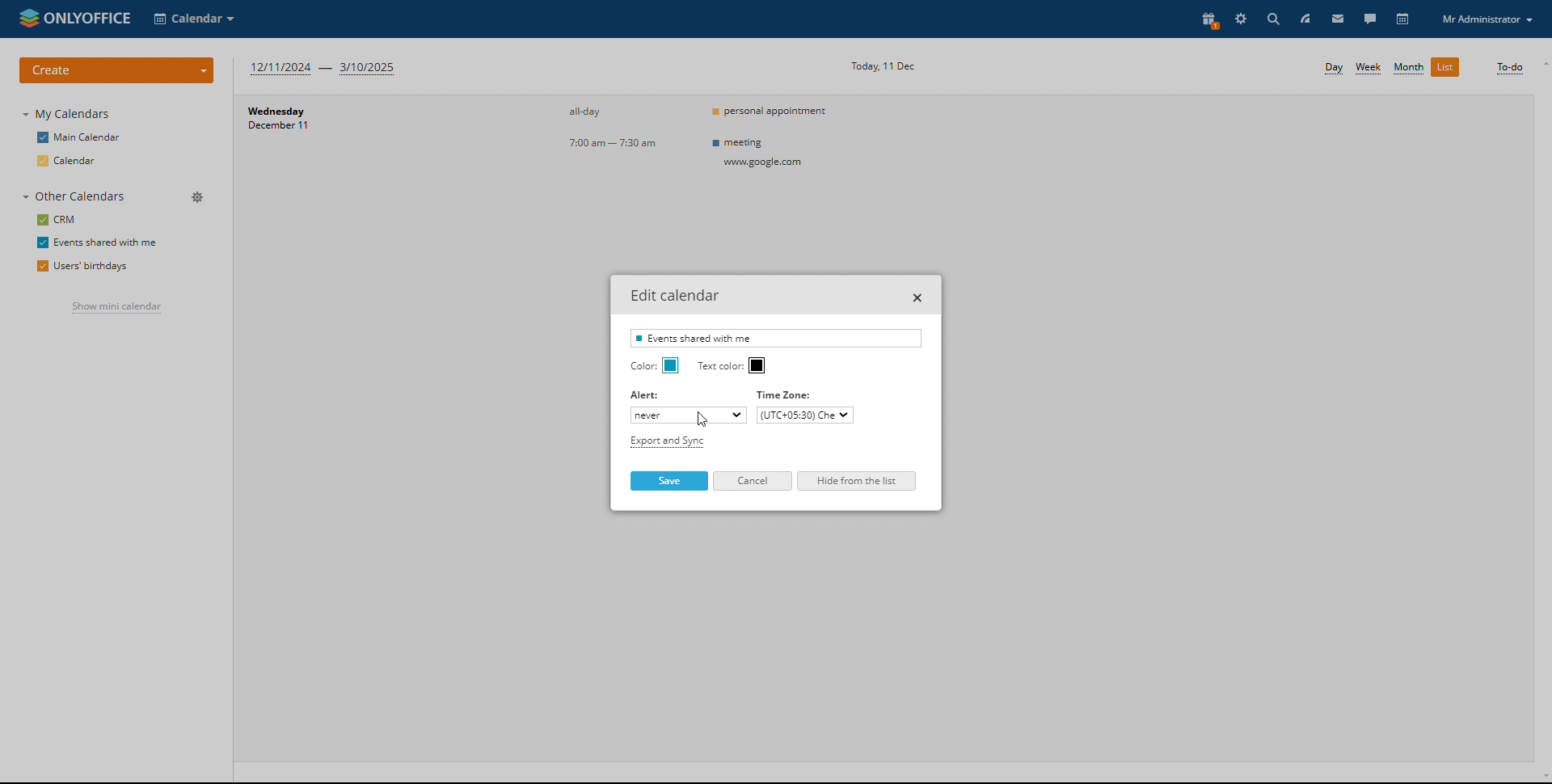  What do you see at coordinates (1207, 18) in the screenshot?
I see `present` at bounding box center [1207, 18].